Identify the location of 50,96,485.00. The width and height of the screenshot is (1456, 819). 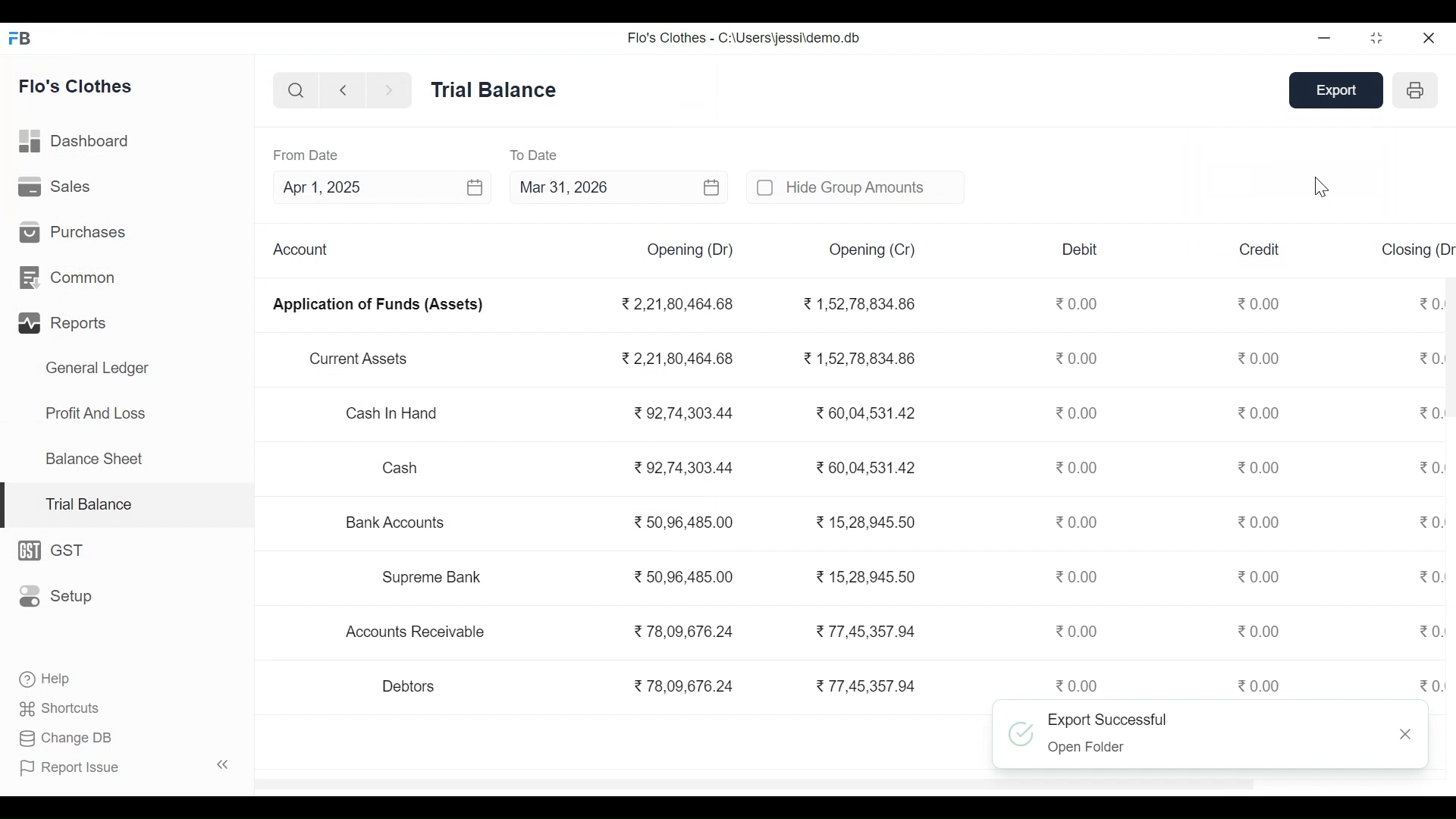
(682, 576).